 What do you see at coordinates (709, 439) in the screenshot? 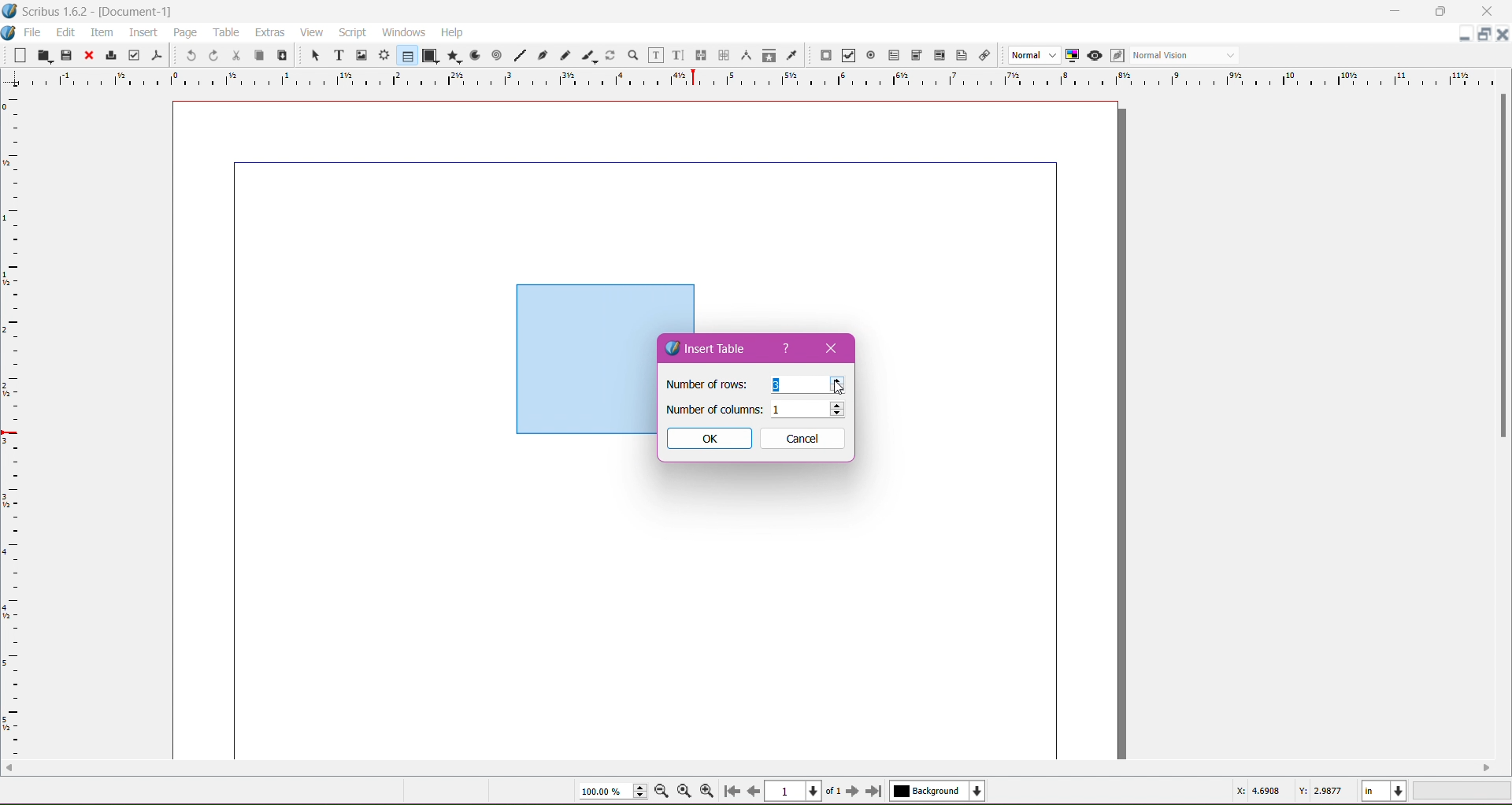
I see `OK` at bounding box center [709, 439].